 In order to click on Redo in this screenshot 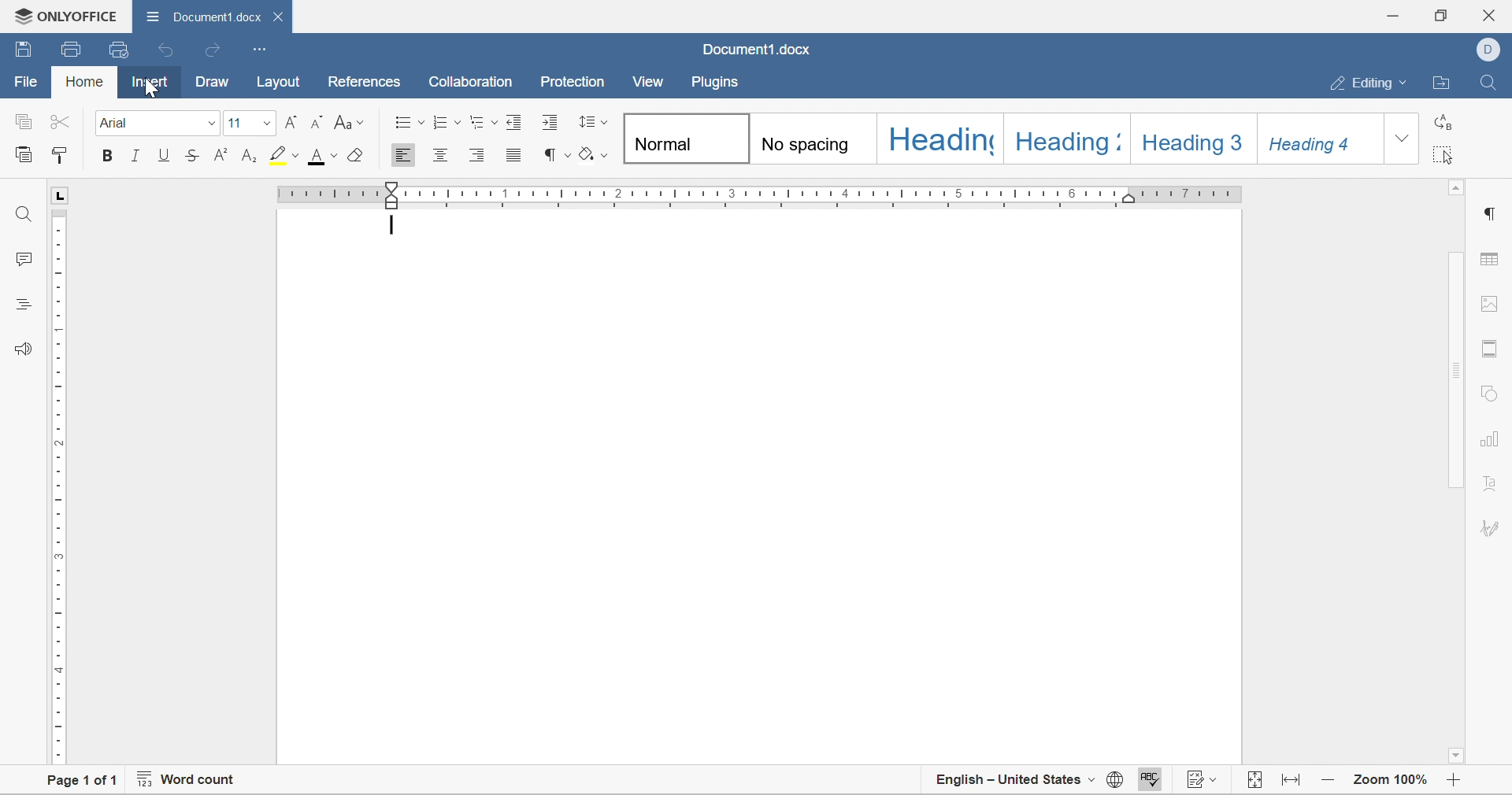, I will do `click(216, 52)`.